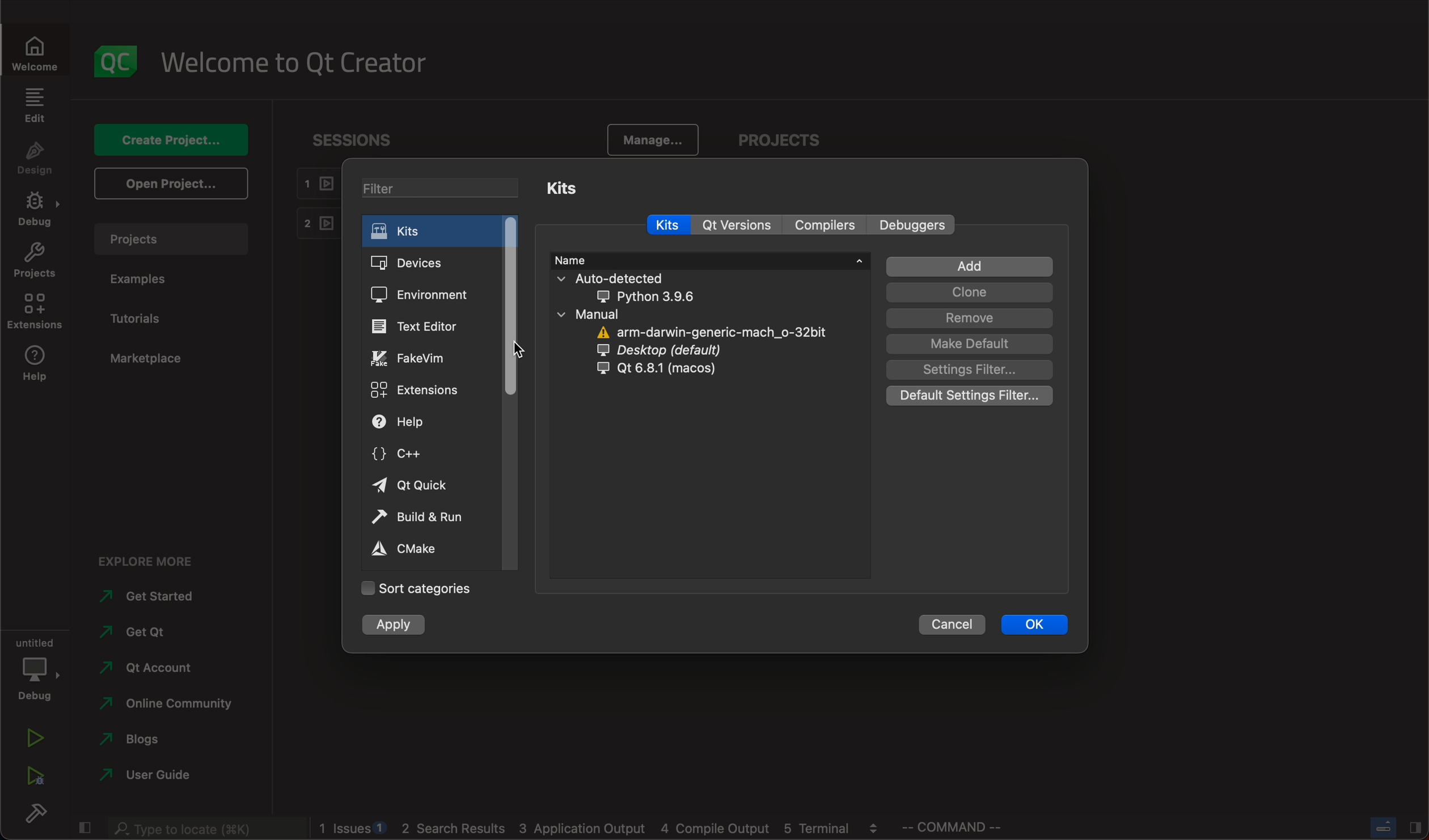 The height and width of the screenshot is (840, 1429). What do you see at coordinates (398, 625) in the screenshot?
I see `apply` at bounding box center [398, 625].